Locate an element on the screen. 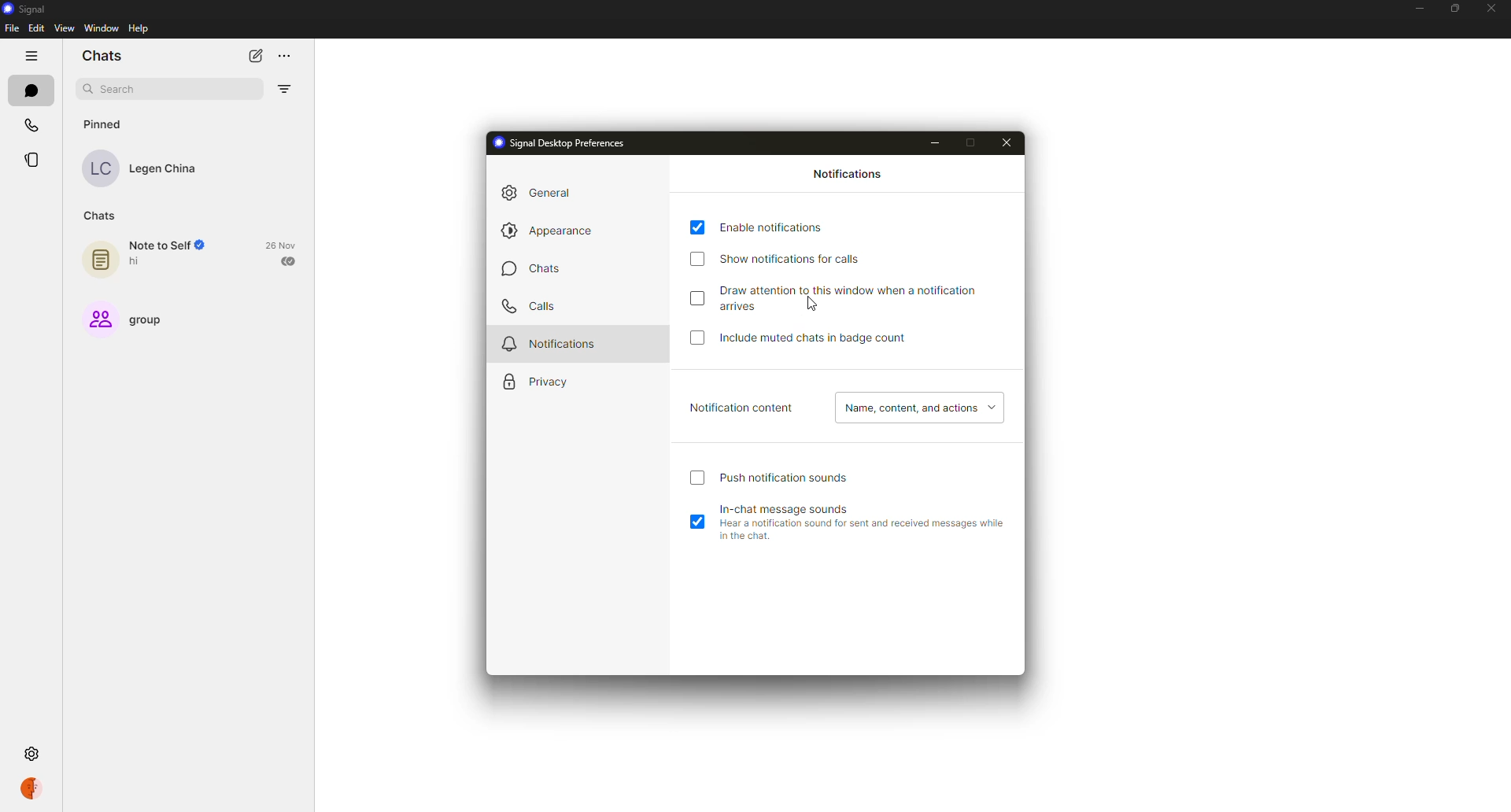  signal desktop preferences is located at coordinates (558, 142).